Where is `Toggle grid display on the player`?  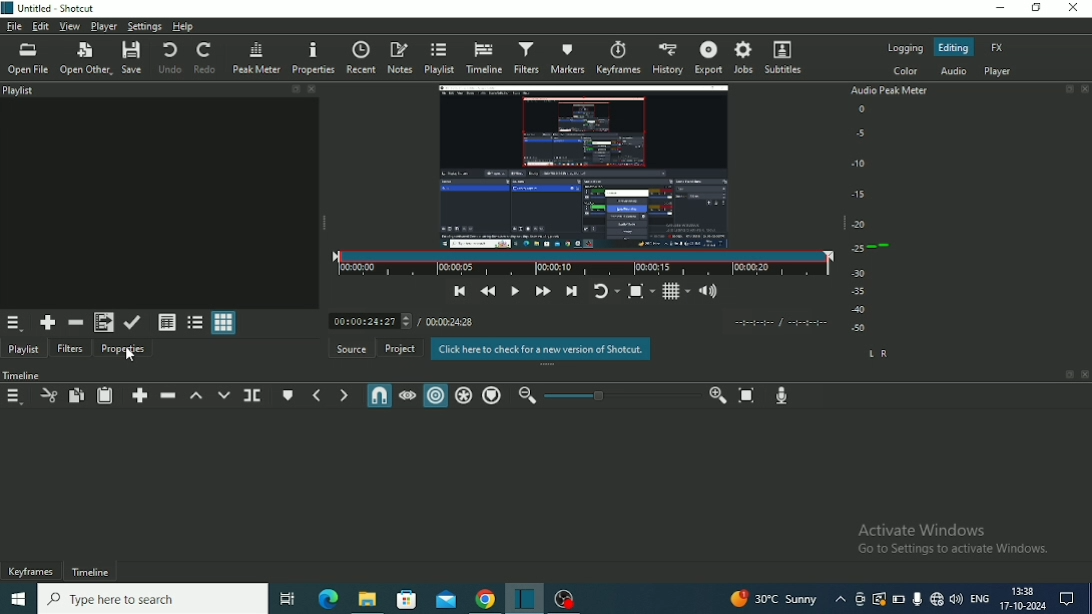 Toggle grid display on the player is located at coordinates (676, 292).